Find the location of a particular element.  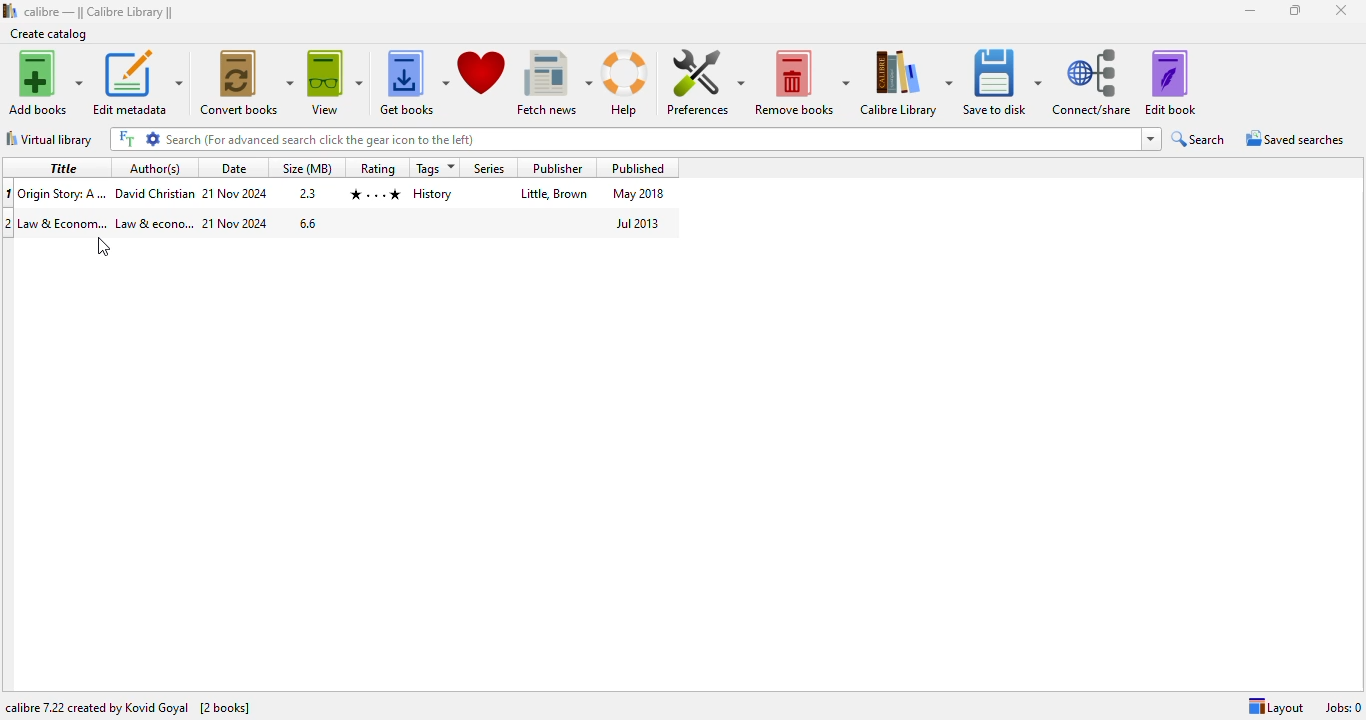

dropdown is located at coordinates (1151, 139).